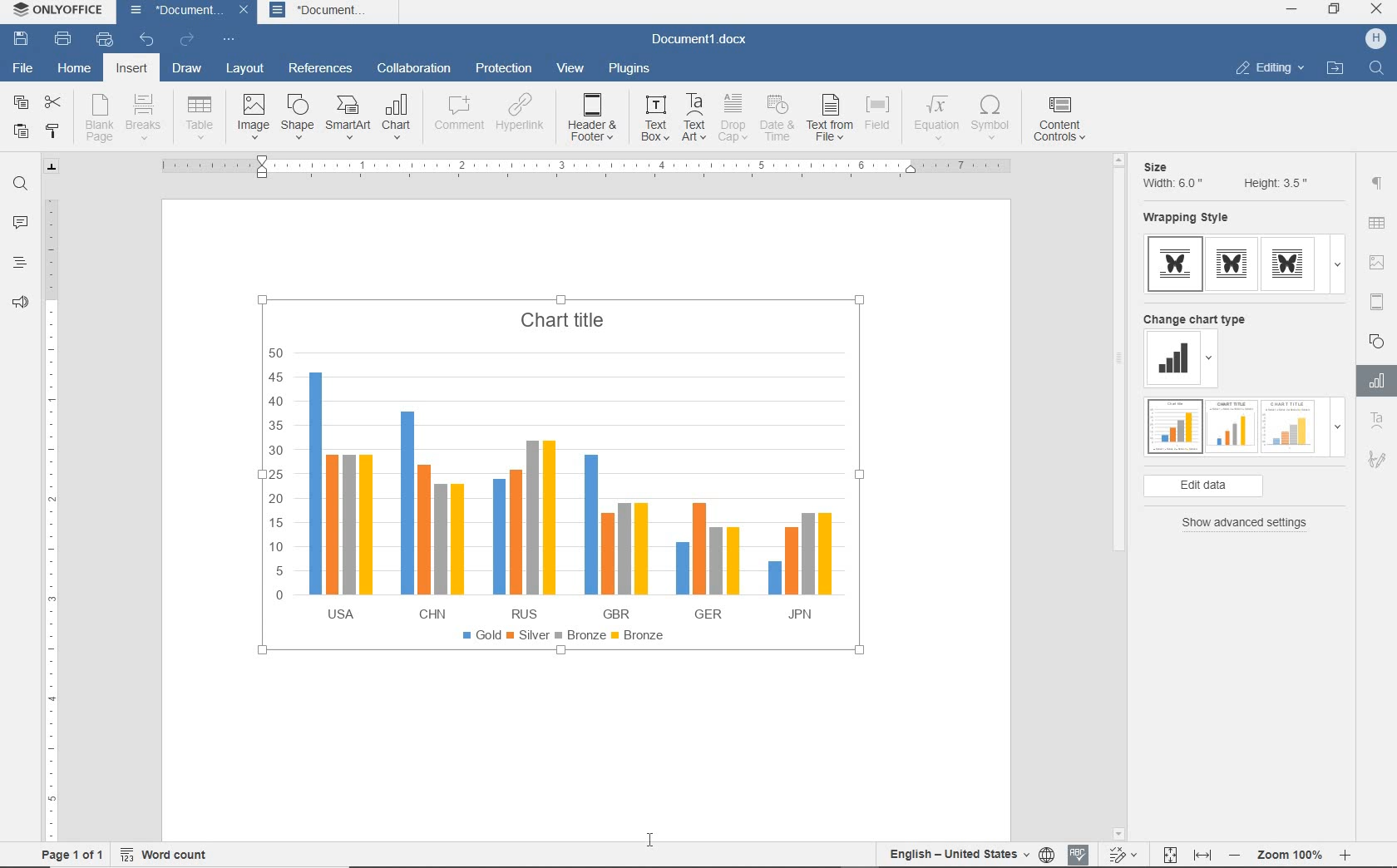 This screenshot has width=1397, height=868. What do you see at coordinates (831, 119) in the screenshot?
I see `text from file` at bounding box center [831, 119].